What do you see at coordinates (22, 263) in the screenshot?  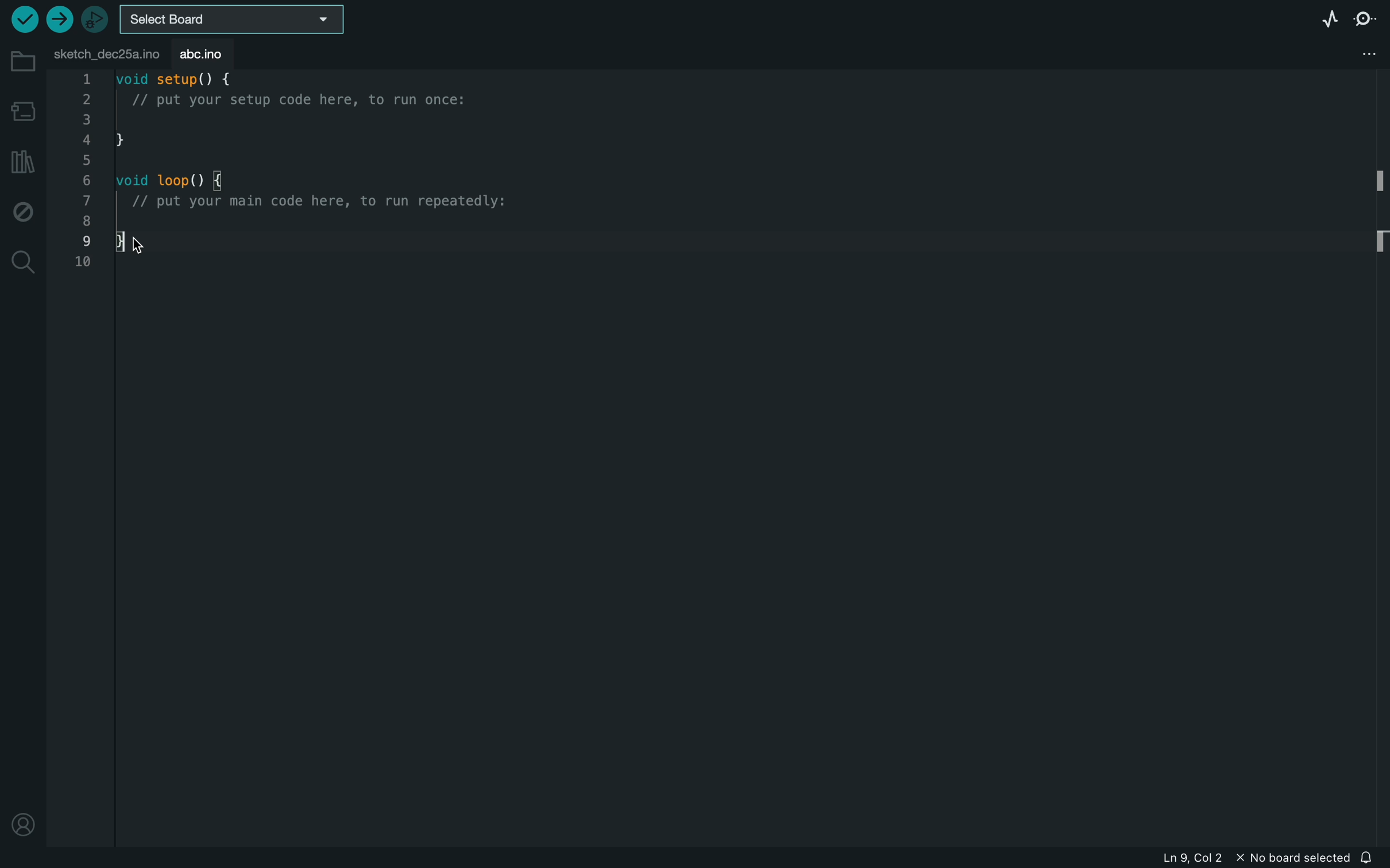 I see `search` at bounding box center [22, 263].